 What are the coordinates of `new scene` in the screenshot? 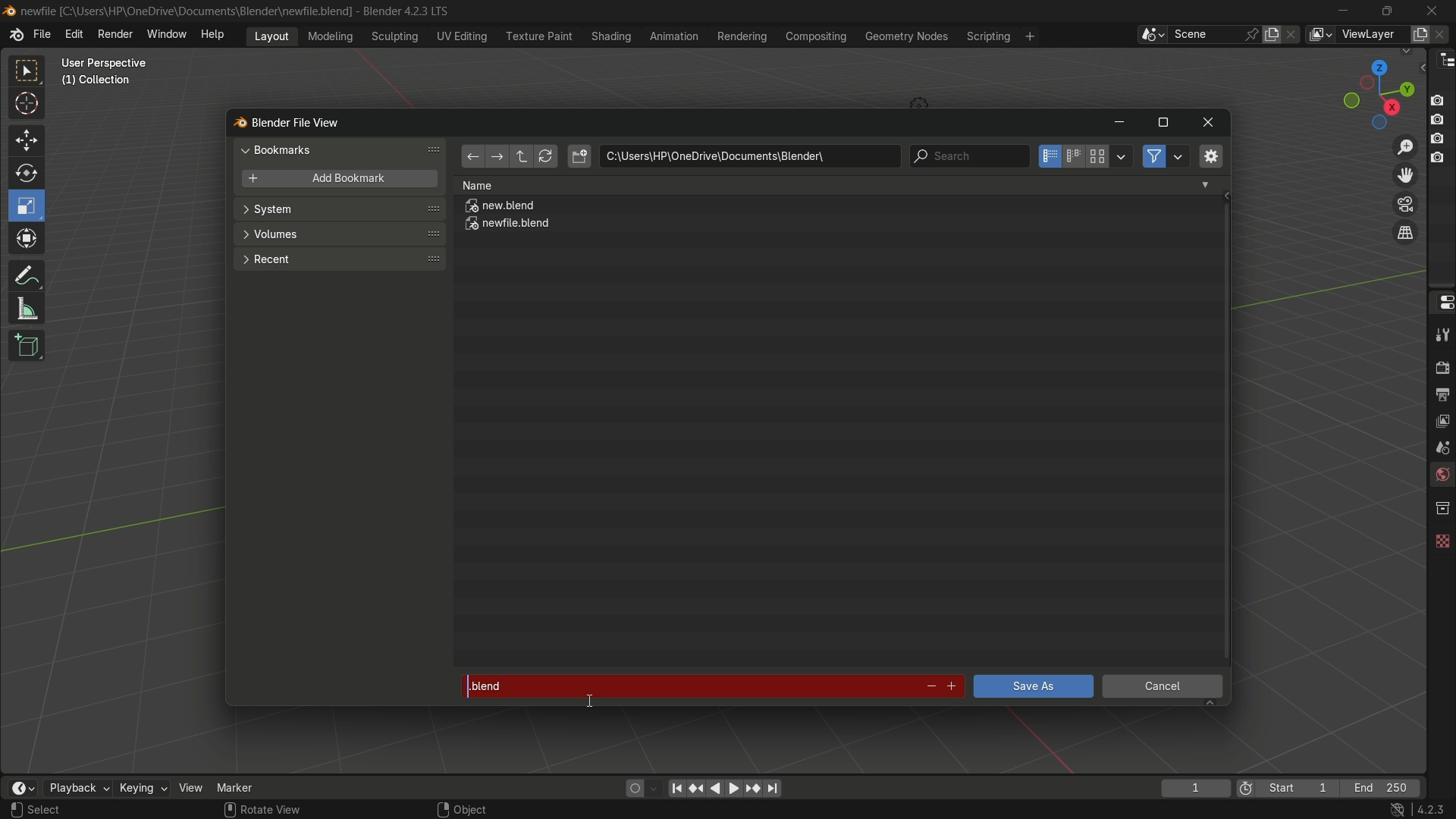 It's located at (1275, 34).